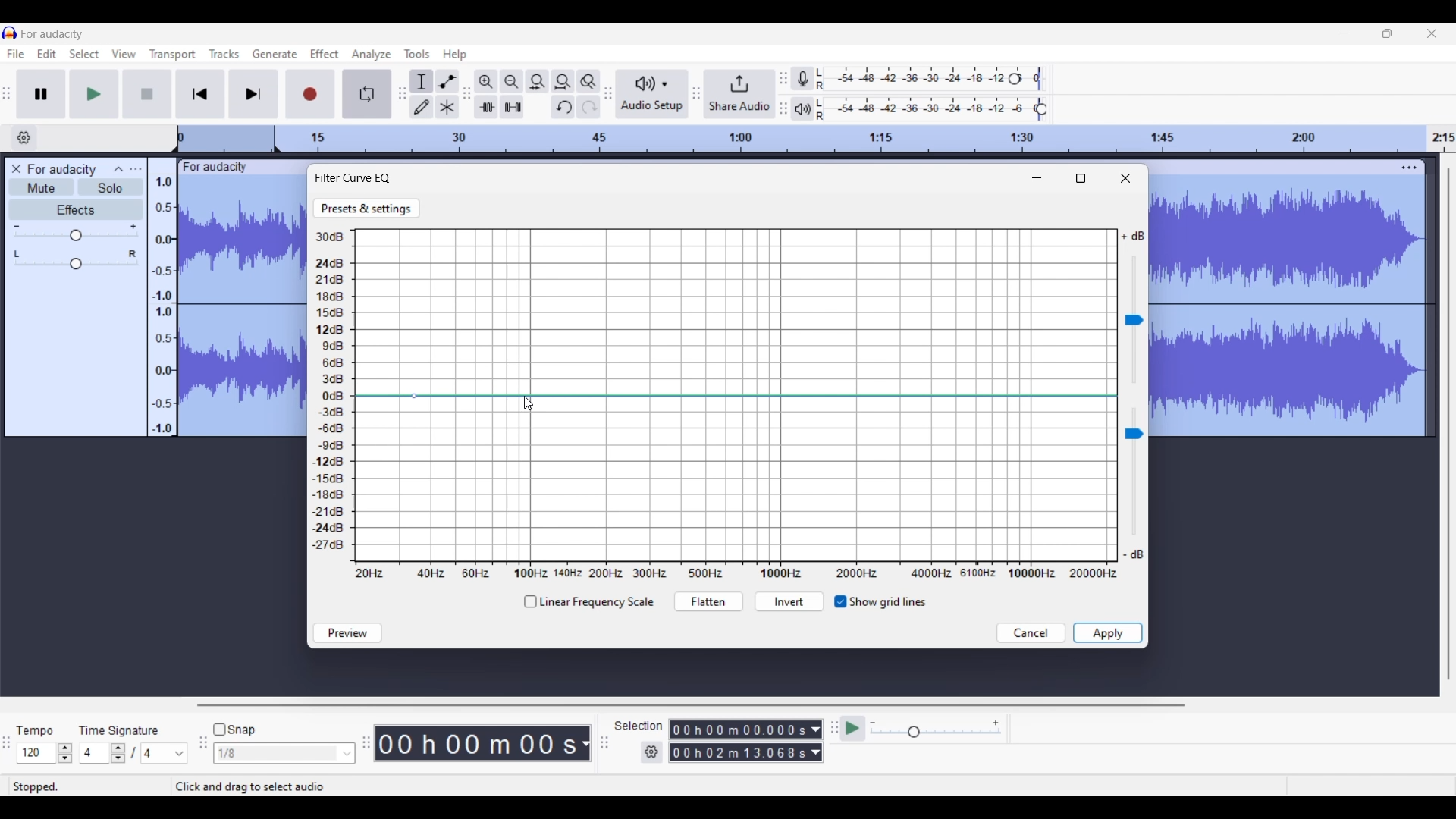 This screenshot has width=1456, height=819. Describe the element at coordinates (17, 226) in the screenshot. I see `Min. gain` at that location.